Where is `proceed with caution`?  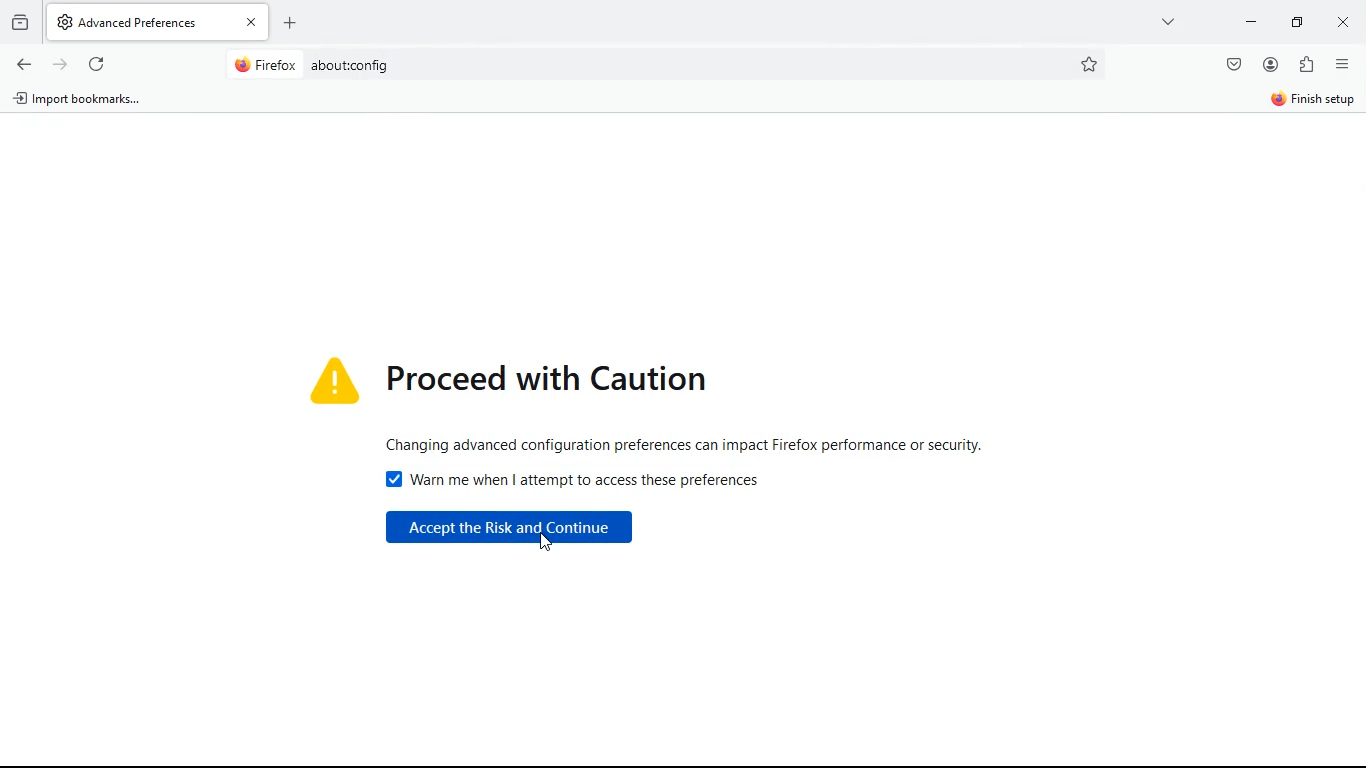
proceed with caution is located at coordinates (515, 377).